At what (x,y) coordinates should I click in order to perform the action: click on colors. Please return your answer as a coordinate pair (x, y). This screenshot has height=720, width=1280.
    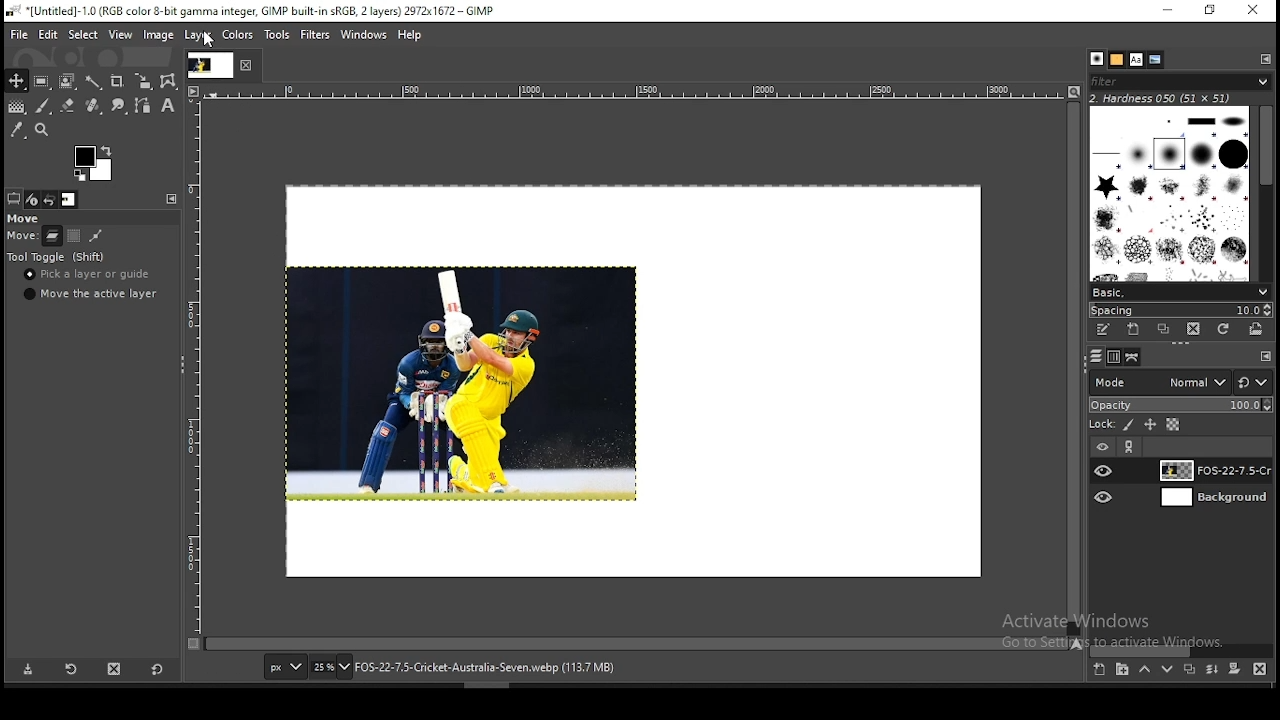
    Looking at the image, I should click on (93, 163).